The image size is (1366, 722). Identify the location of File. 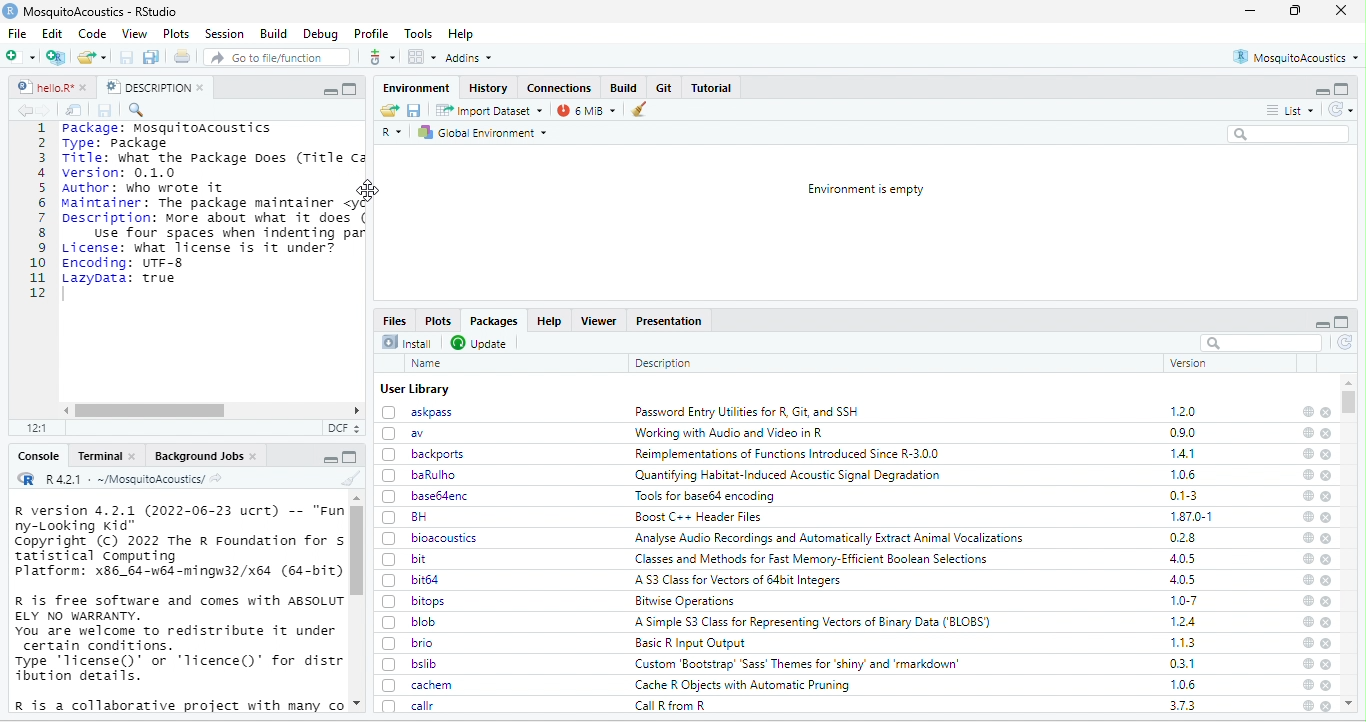
(21, 33).